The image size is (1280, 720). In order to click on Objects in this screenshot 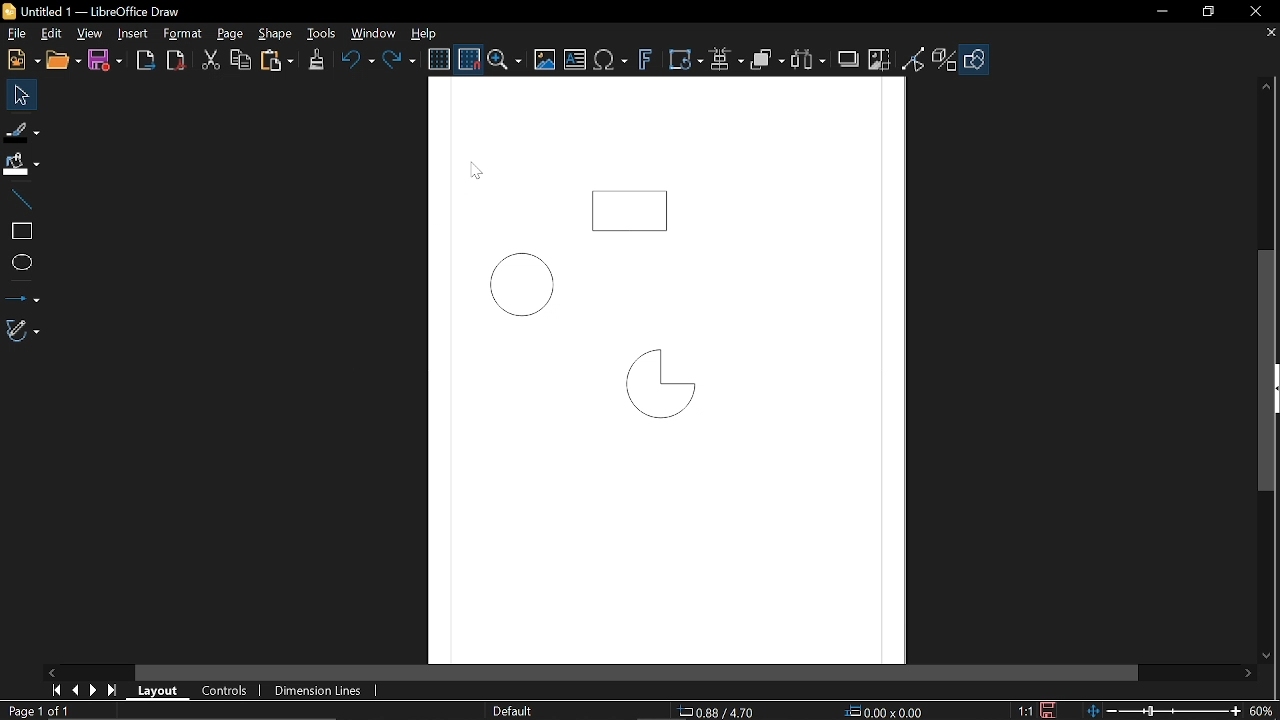, I will do `click(766, 61)`.